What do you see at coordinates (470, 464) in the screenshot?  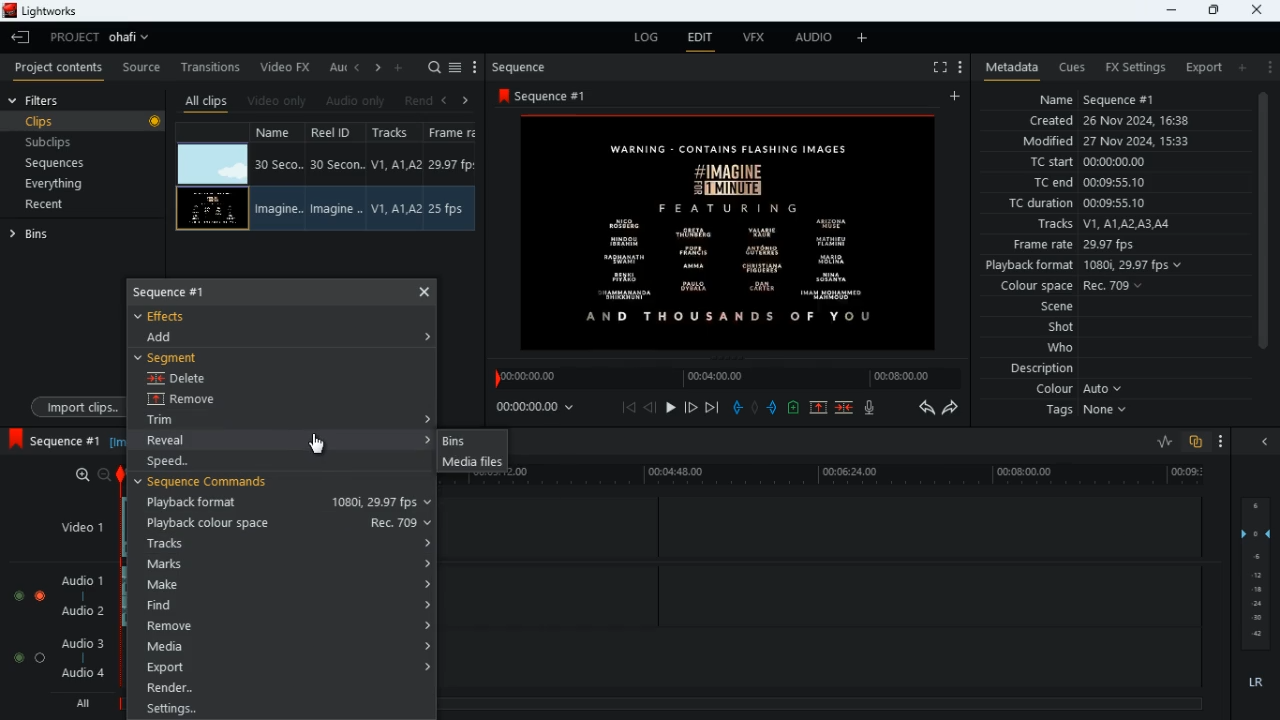 I see `media files` at bounding box center [470, 464].